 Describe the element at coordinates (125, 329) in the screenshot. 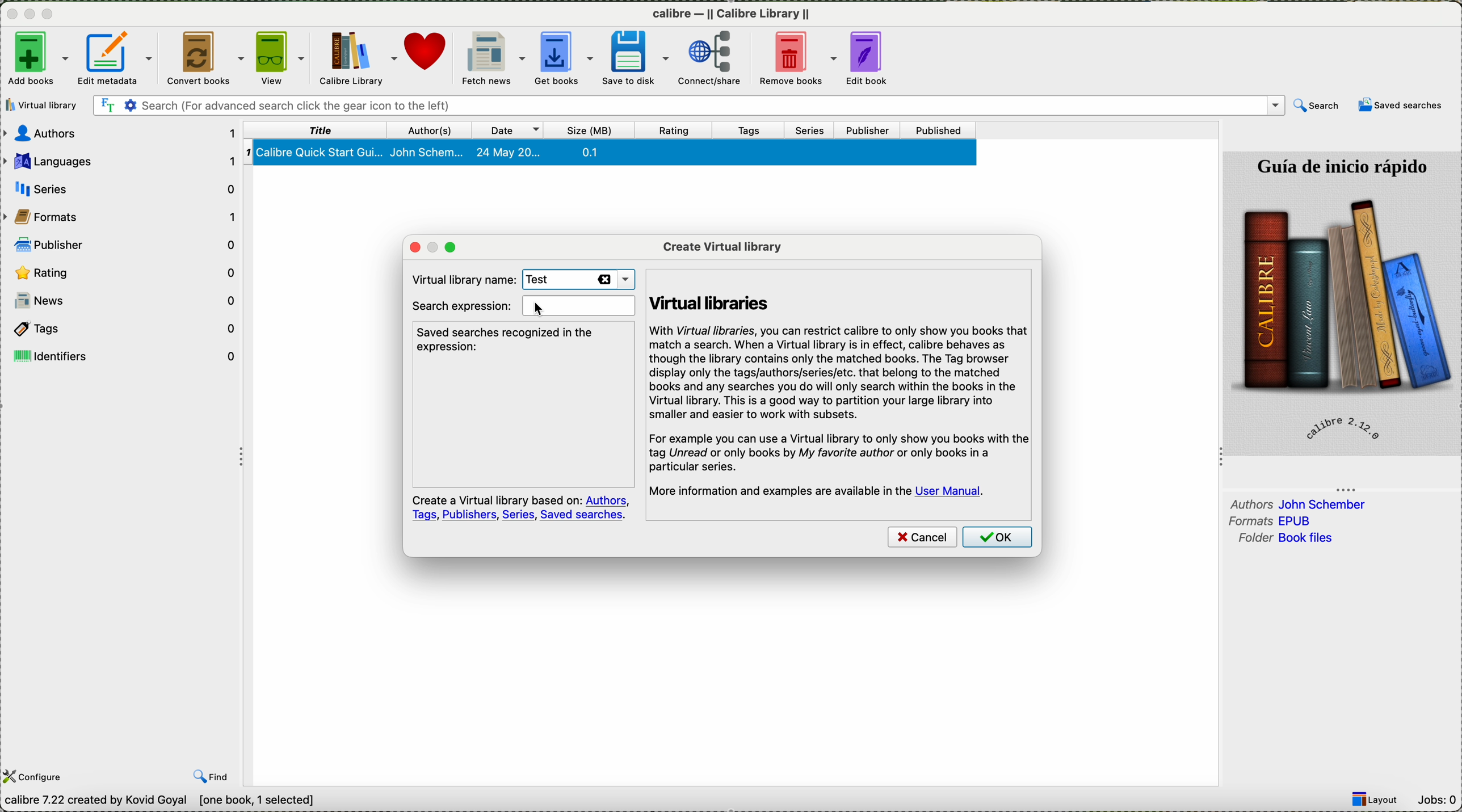

I see `tags` at that location.